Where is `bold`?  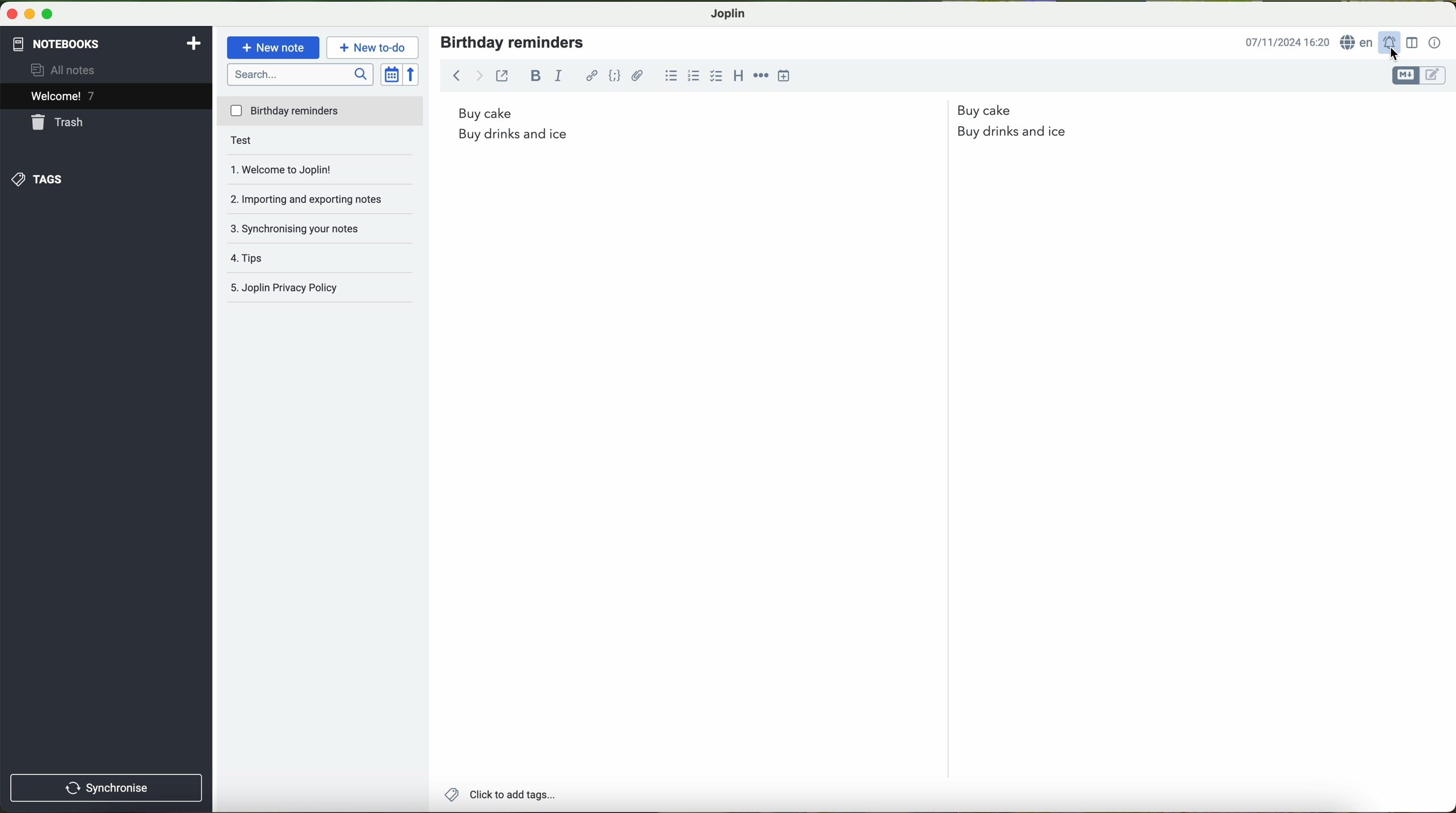 bold is located at coordinates (536, 75).